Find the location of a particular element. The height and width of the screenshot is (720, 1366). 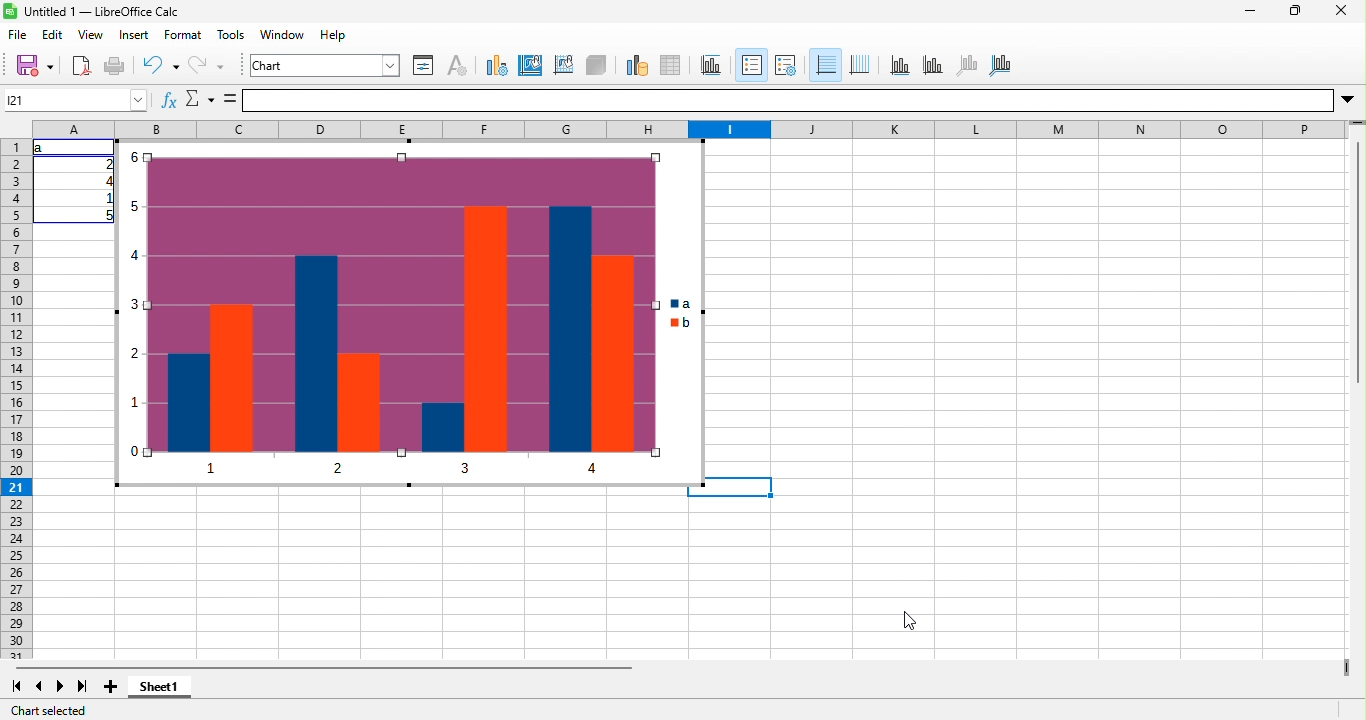

save is located at coordinates (34, 66).